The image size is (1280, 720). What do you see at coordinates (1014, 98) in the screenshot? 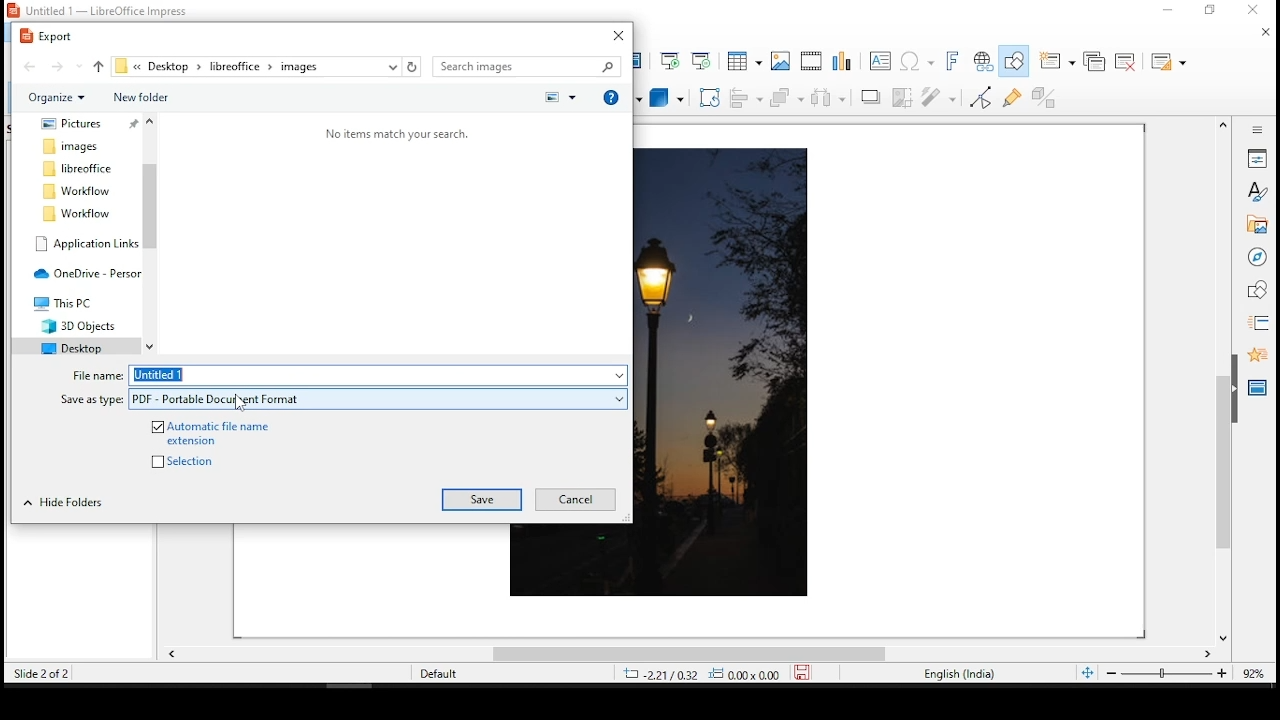
I see `show gluepoint functions` at bounding box center [1014, 98].